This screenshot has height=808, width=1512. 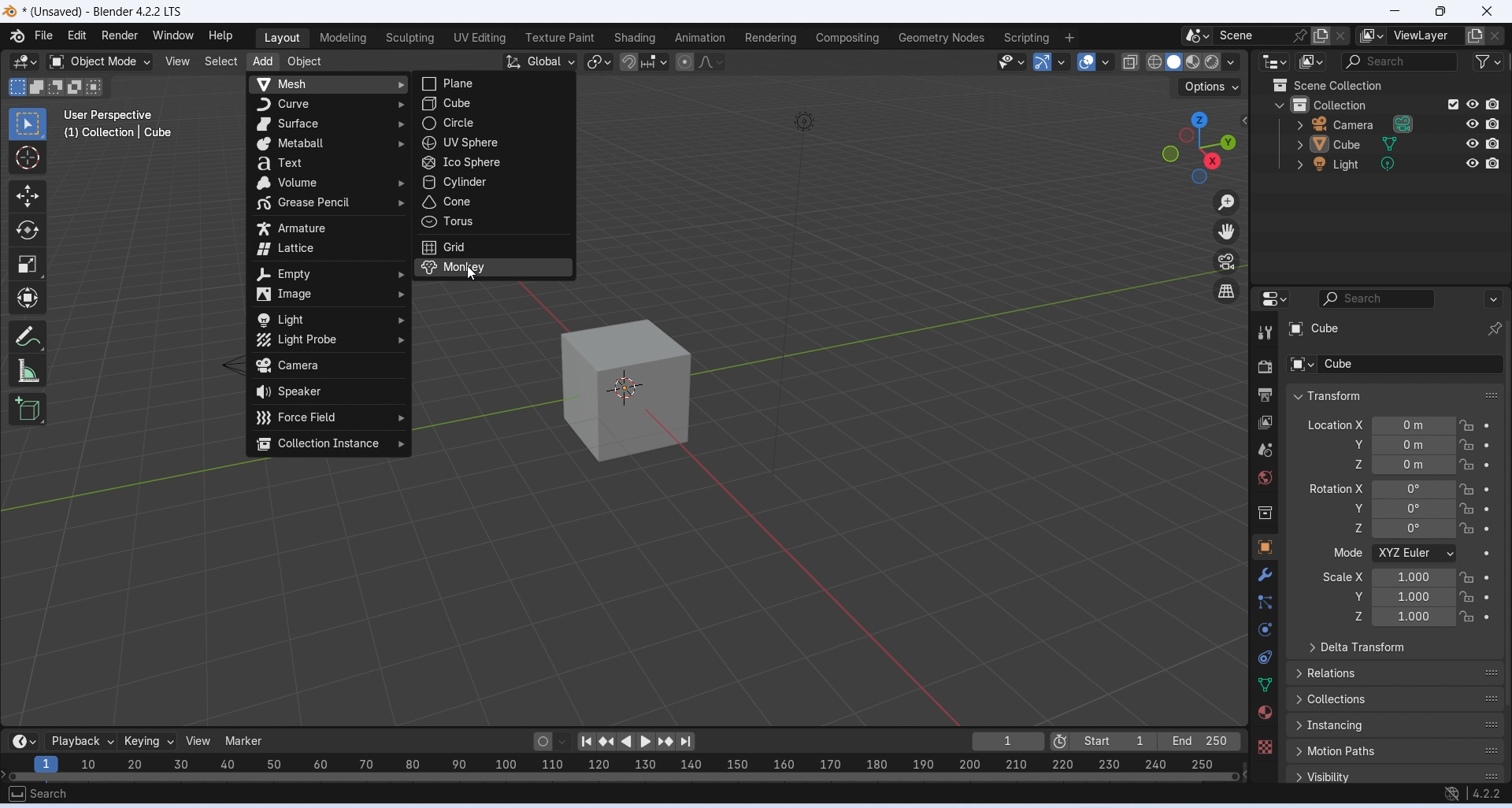 I want to click on animate property, so click(x=1488, y=445).